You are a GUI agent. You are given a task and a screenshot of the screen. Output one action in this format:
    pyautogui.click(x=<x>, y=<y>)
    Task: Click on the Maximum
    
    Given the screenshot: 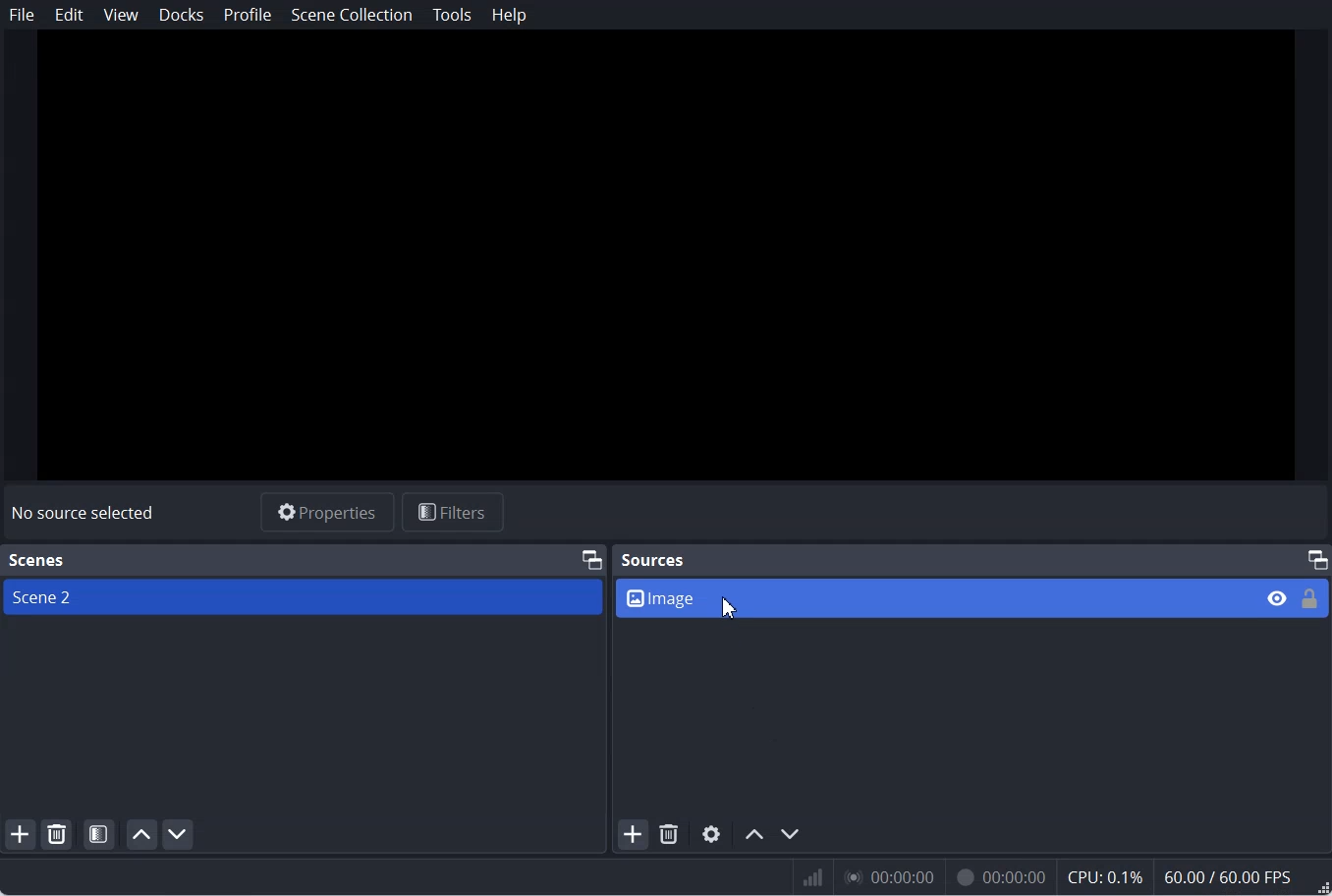 What is the action you would take?
    pyautogui.click(x=591, y=559)
    